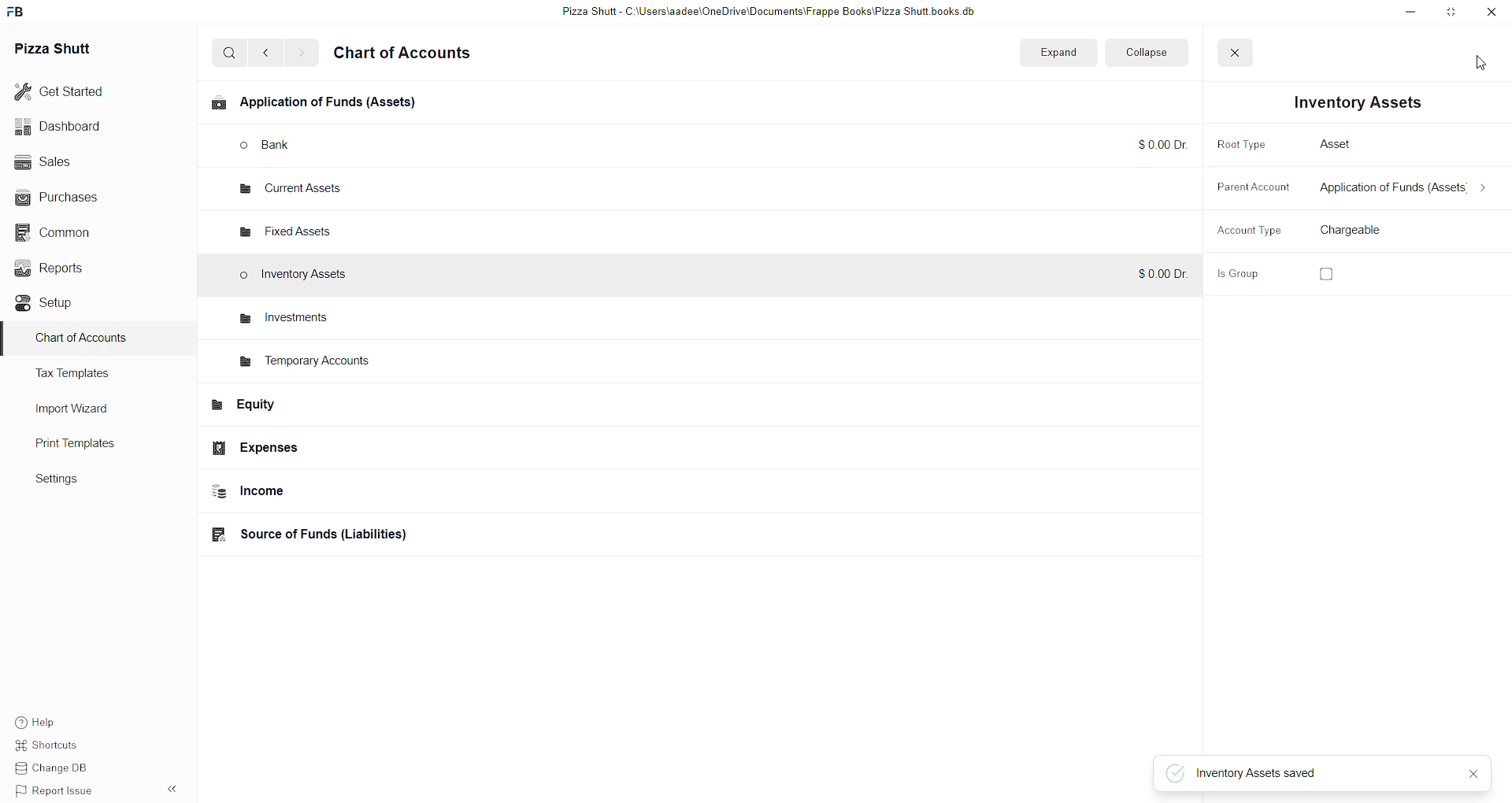  What do you see at coordinates (281, 318) in the screenshot?
I see `investments ` at bounding box center [281, 318].